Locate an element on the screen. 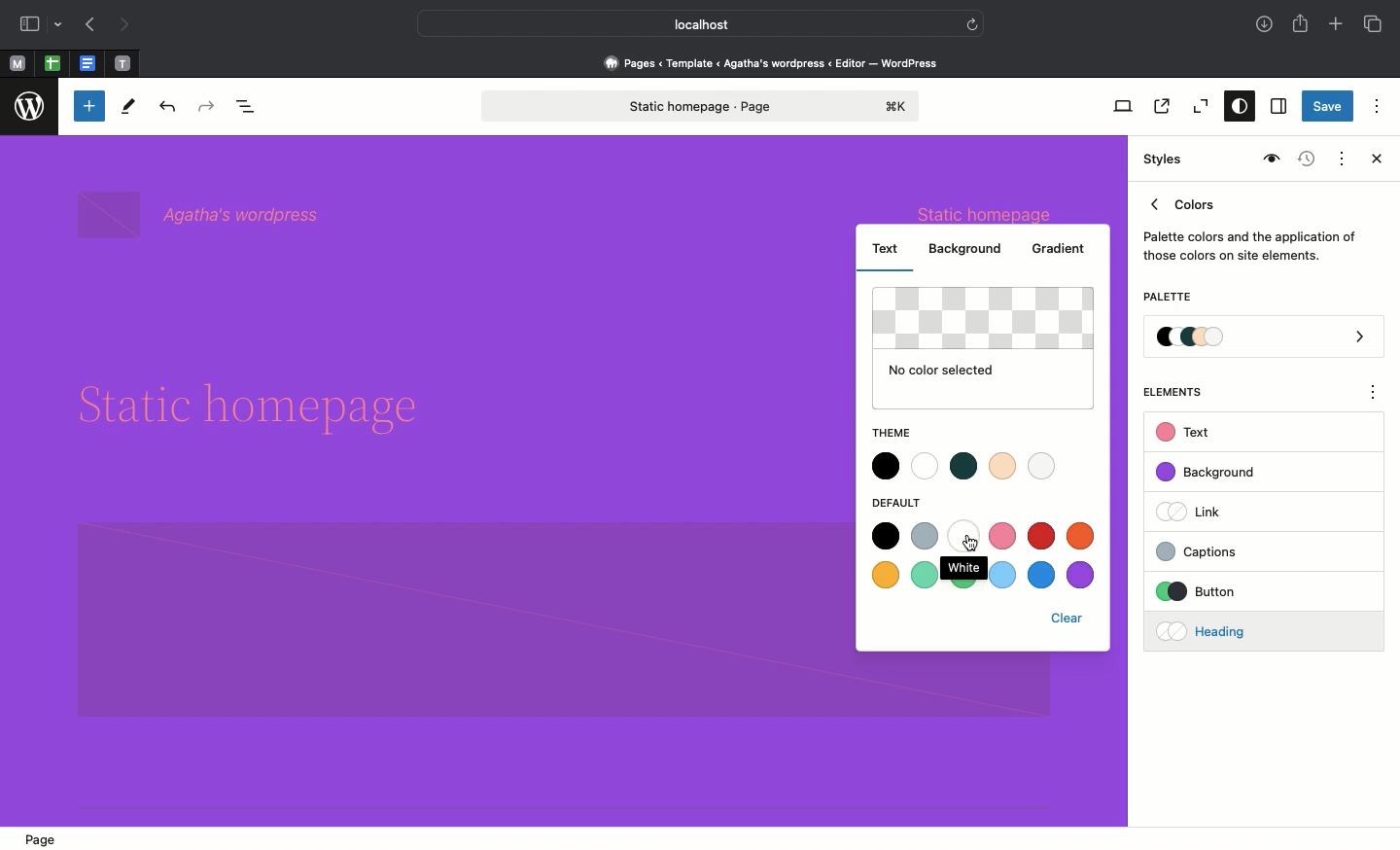 This screenshot has height=850, width=1400. Background is located at coordinates (1215, 473).